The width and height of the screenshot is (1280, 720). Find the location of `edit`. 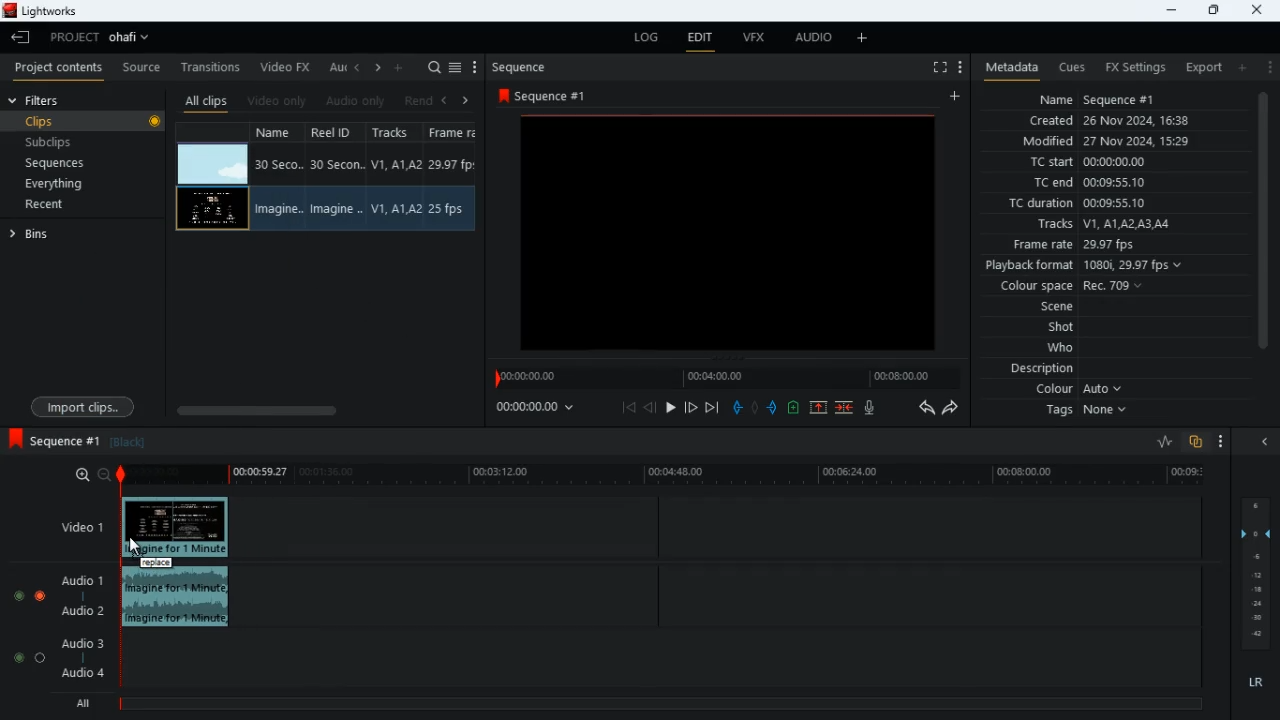

edit is located at coordinates (700, 40).